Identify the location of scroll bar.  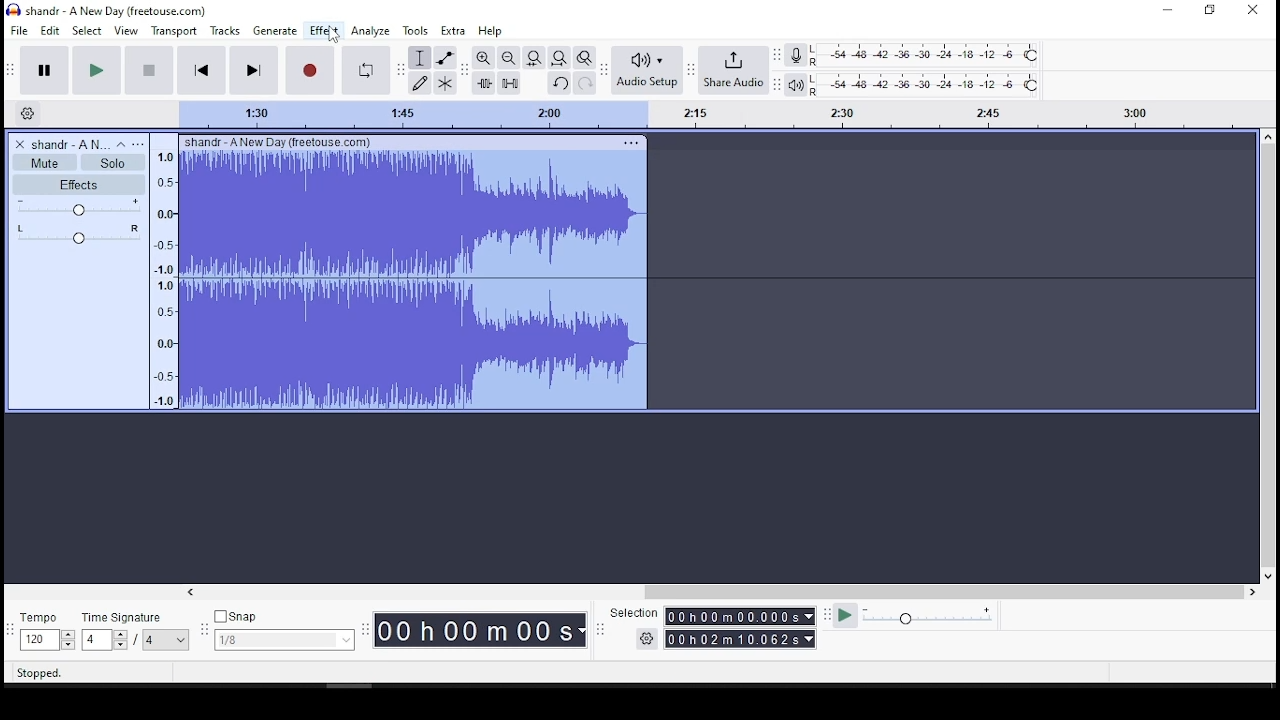
(1268, 356).